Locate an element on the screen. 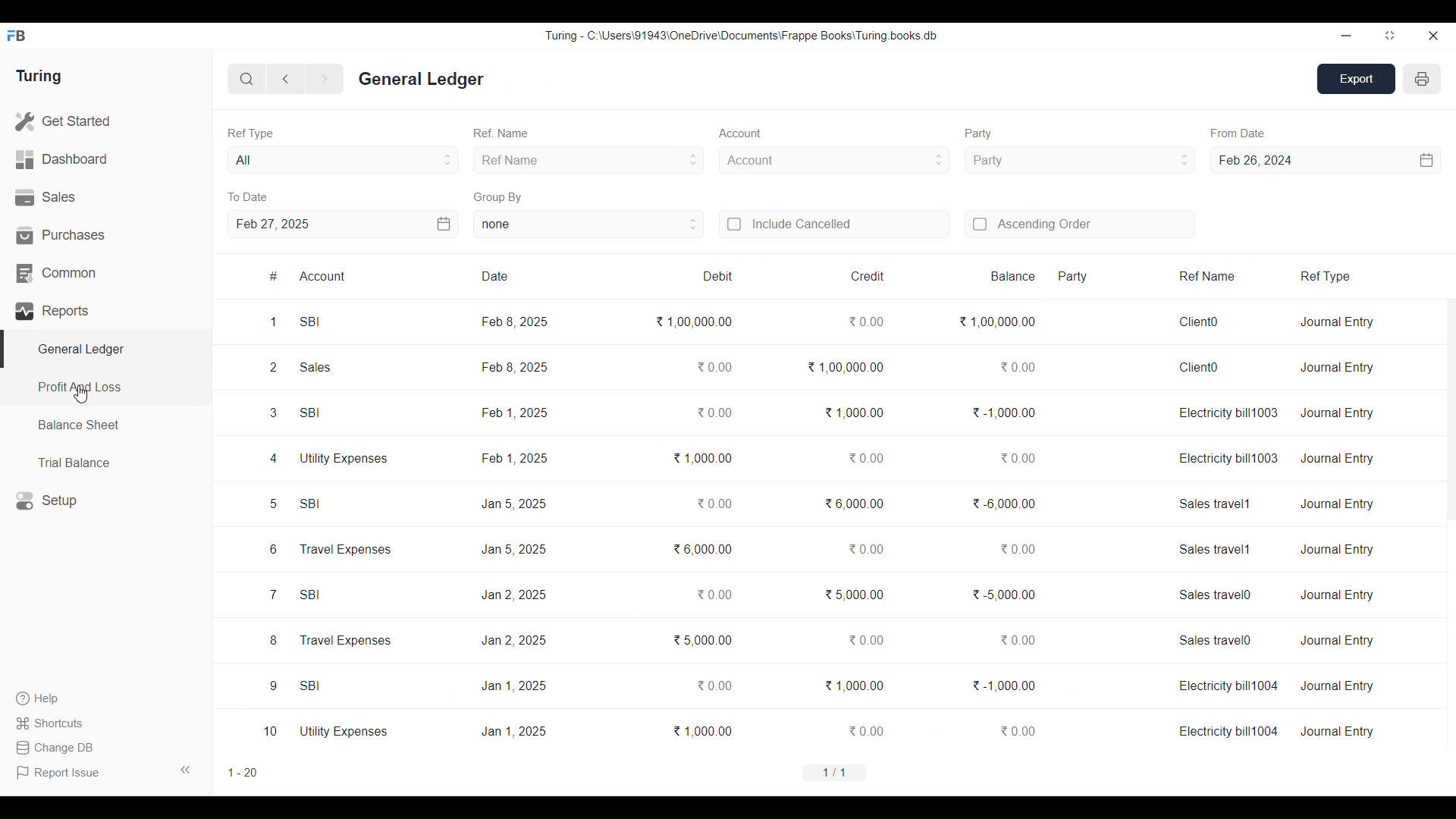 The height and width of the screenshot is (819, 1456). 0.00 is located at coordinates (1016, 730).